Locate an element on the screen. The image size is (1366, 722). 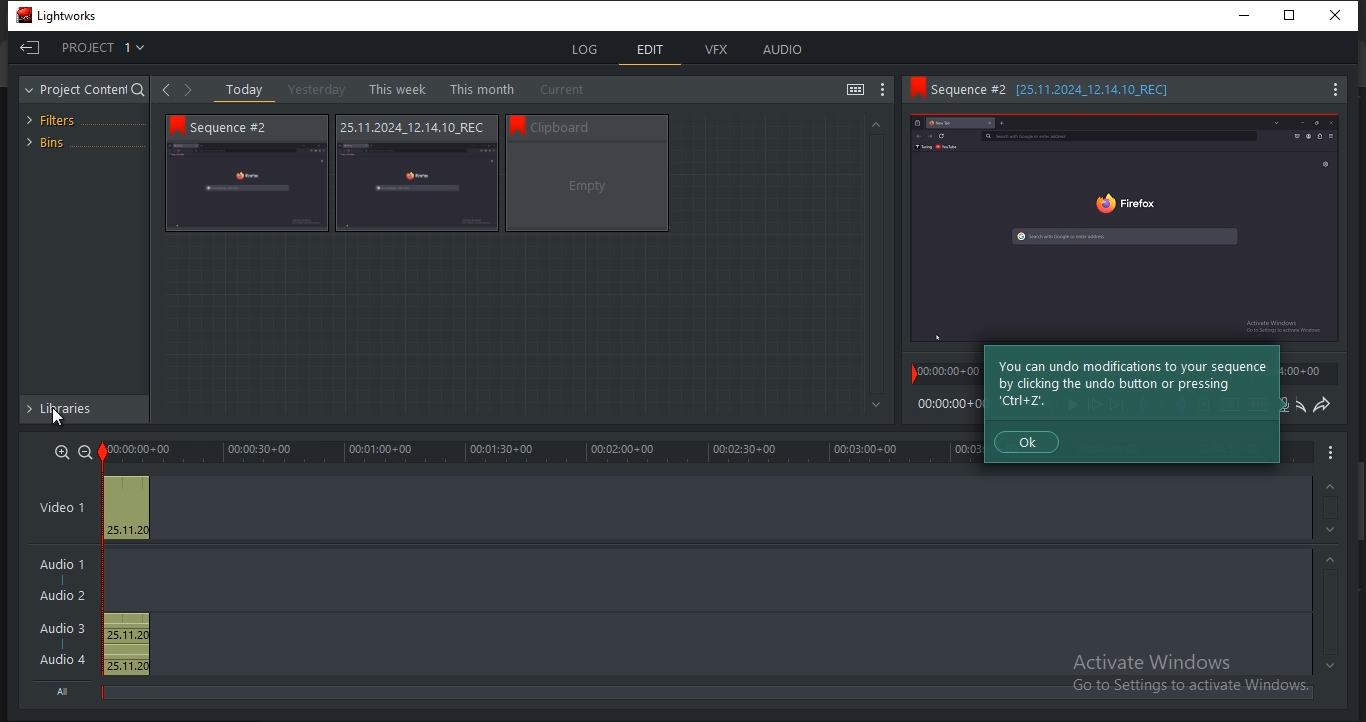
redo is located at coordinates (1324, 404).